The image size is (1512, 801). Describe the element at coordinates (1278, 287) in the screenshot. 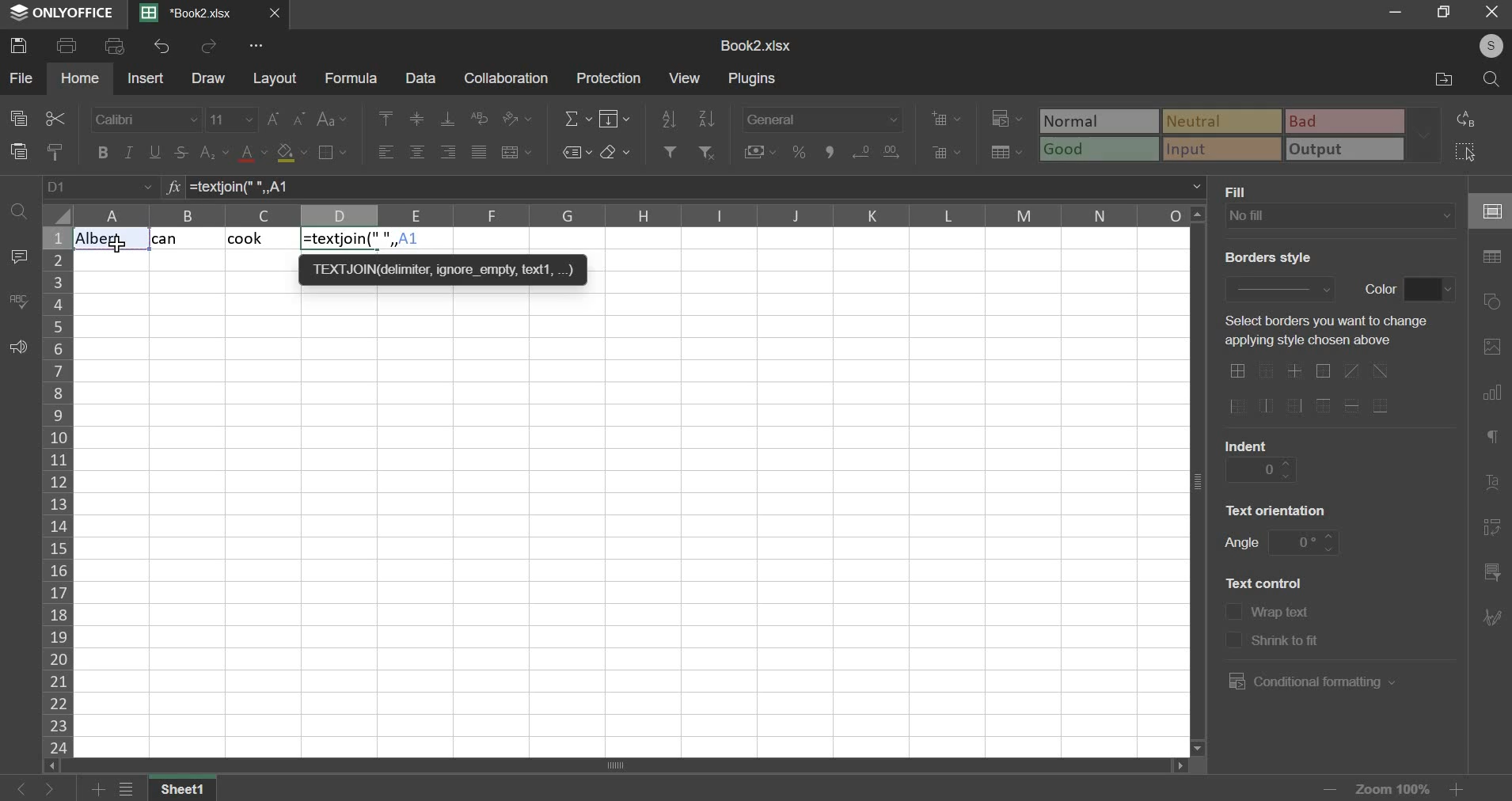

I see `border style` at that location.